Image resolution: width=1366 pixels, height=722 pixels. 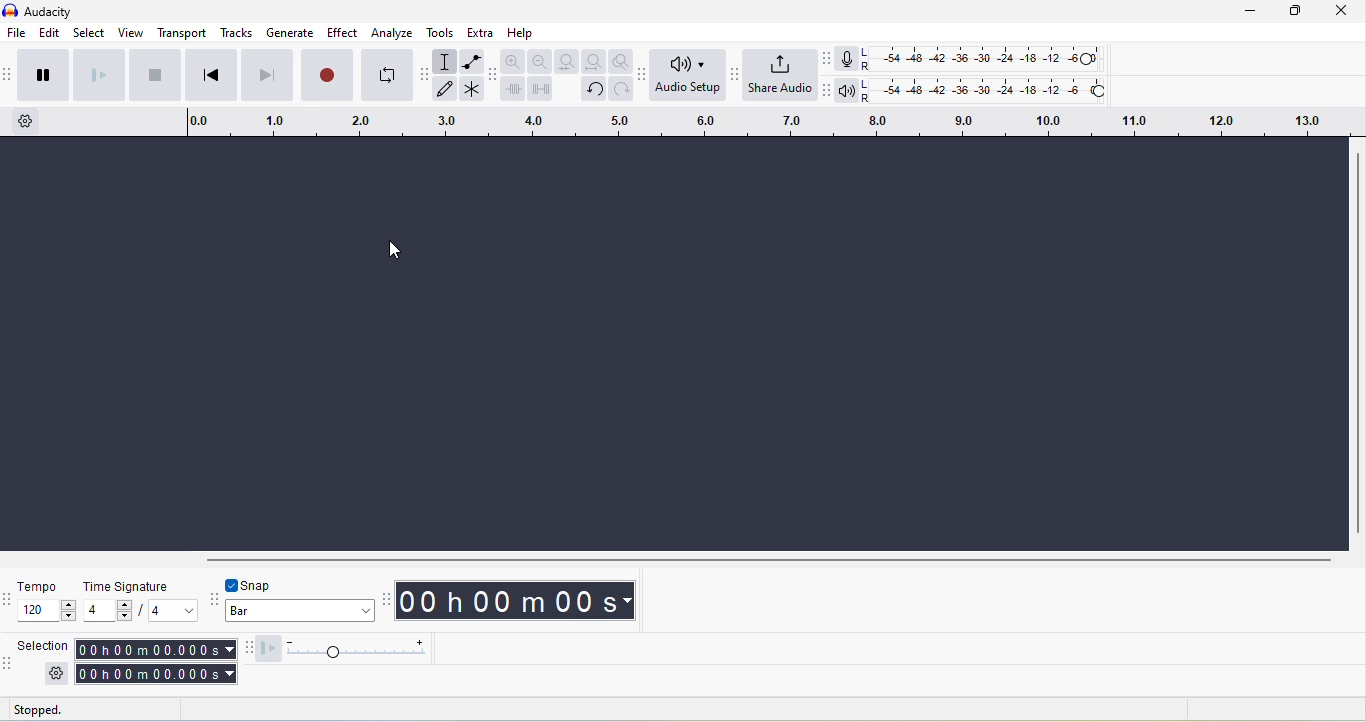 I want to click on fit selection to width, so click(x=566, y=61).